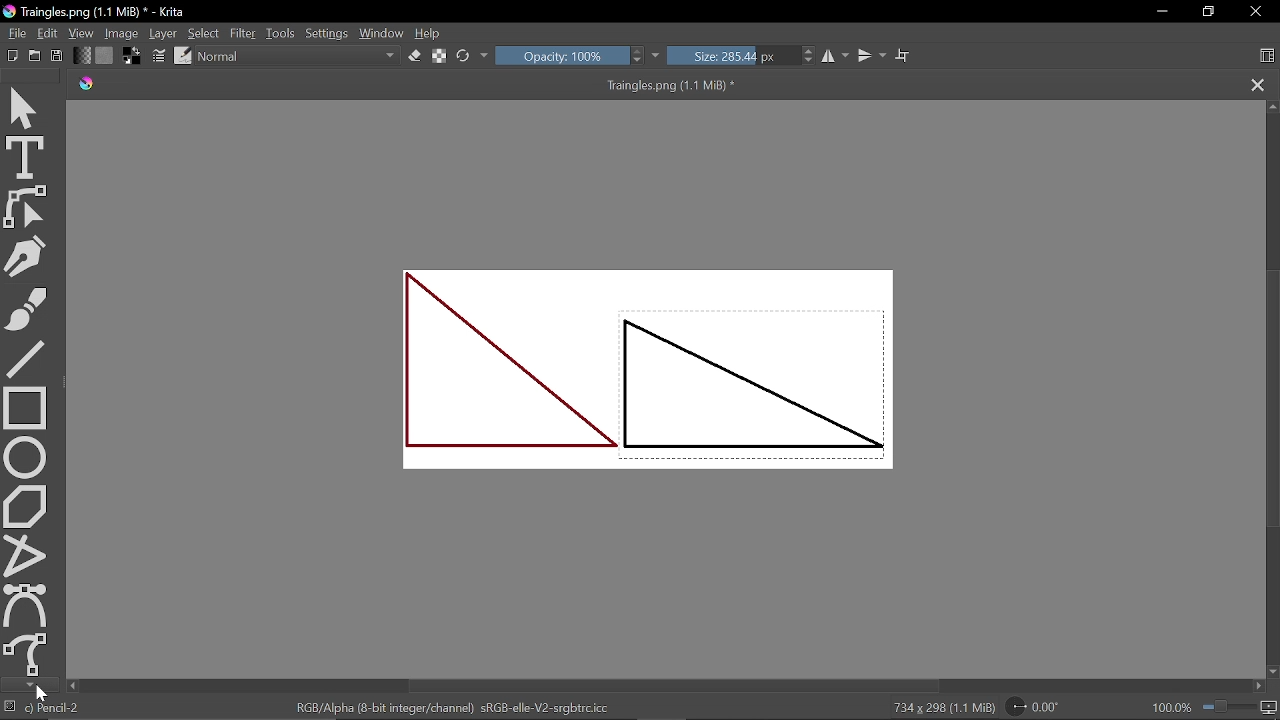 Image resolution: width=1280 pixels, height=720 pixels. I want to click on Restore down, so click(1206, 13).